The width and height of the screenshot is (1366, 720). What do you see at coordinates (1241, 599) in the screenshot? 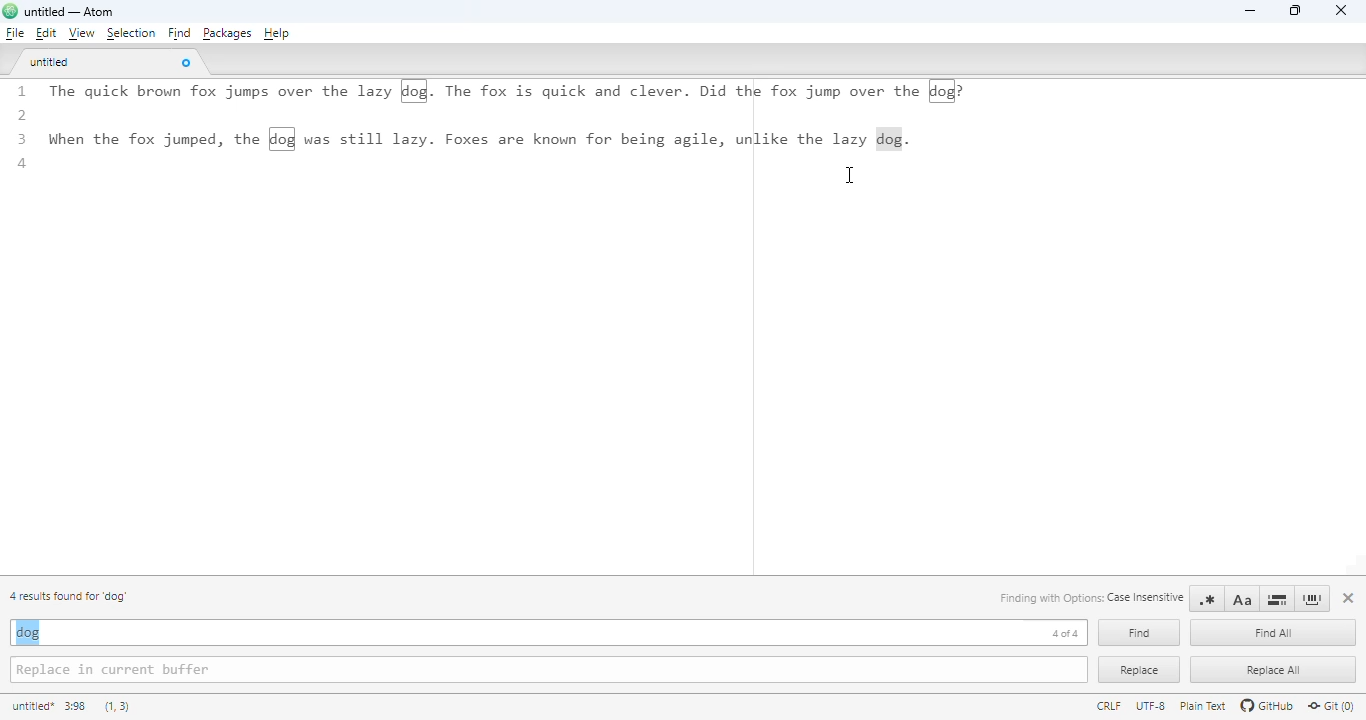
I see `match case` at bounding box center [1241, 599].